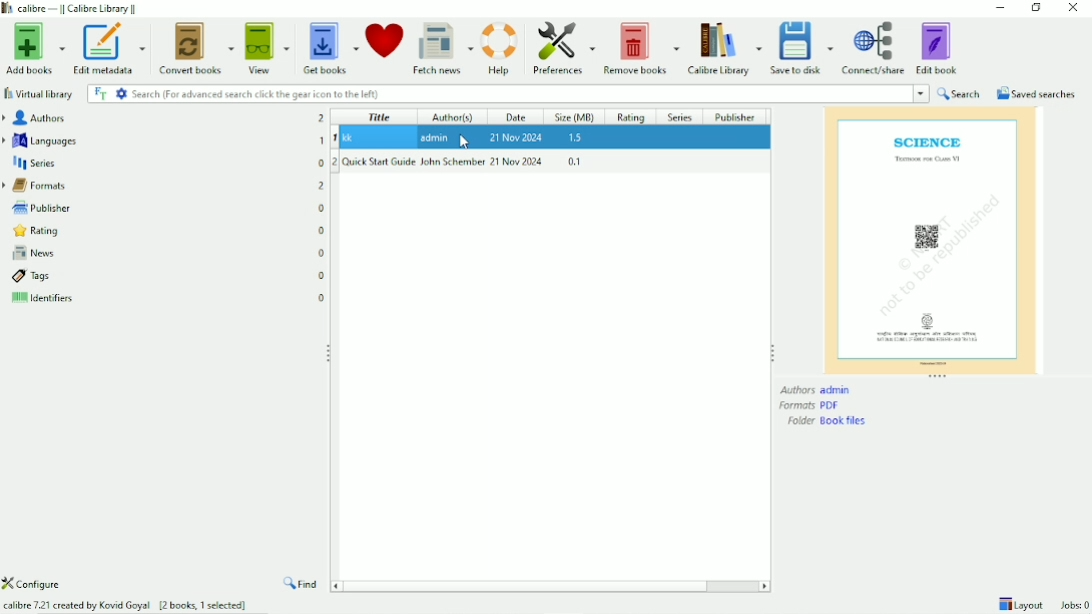 This screenshot has width=1092, height=614. I want to click on cursor, so click(465, 142).